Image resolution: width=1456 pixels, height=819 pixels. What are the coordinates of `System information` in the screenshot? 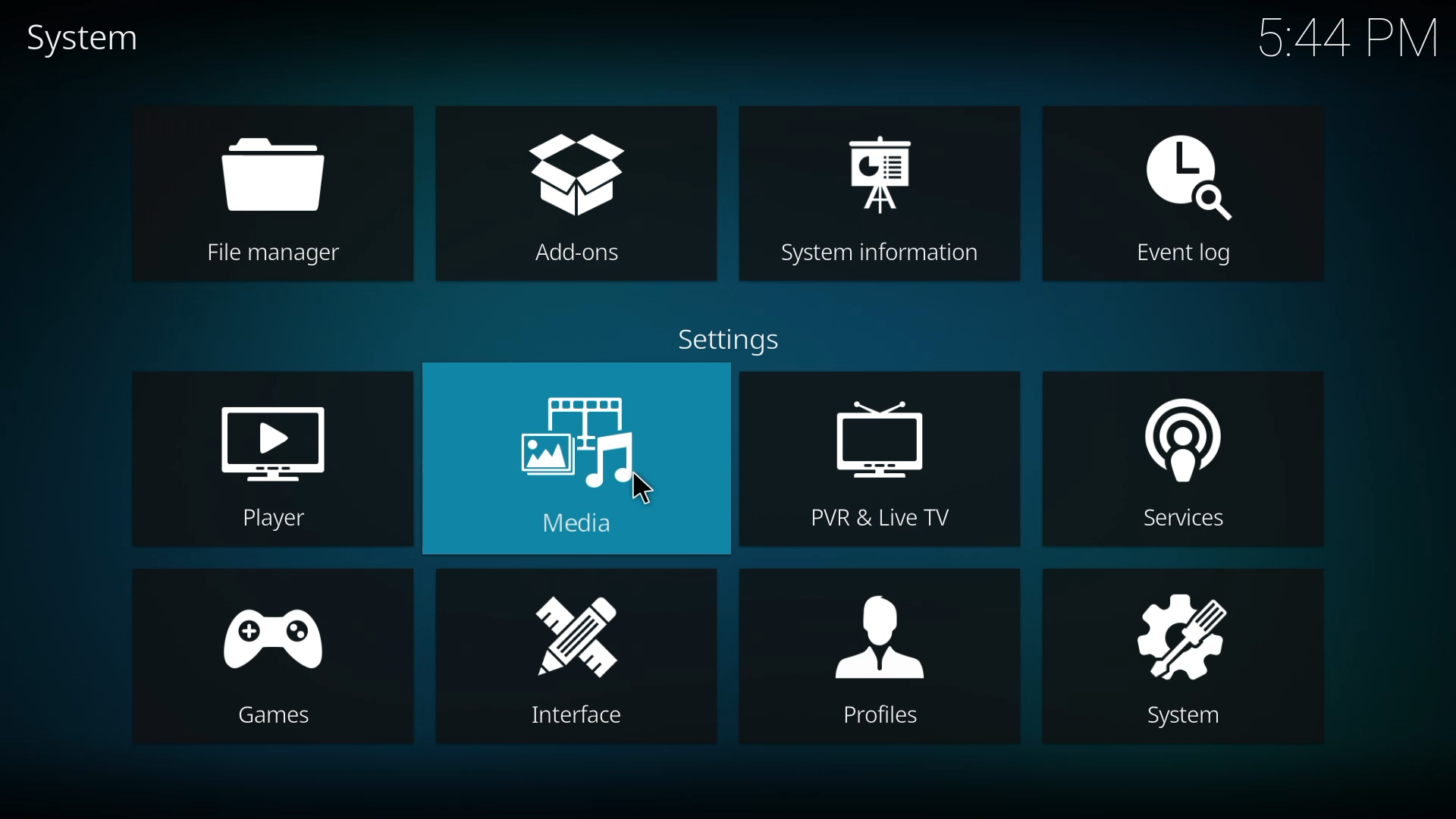 It's located at (871, 253).